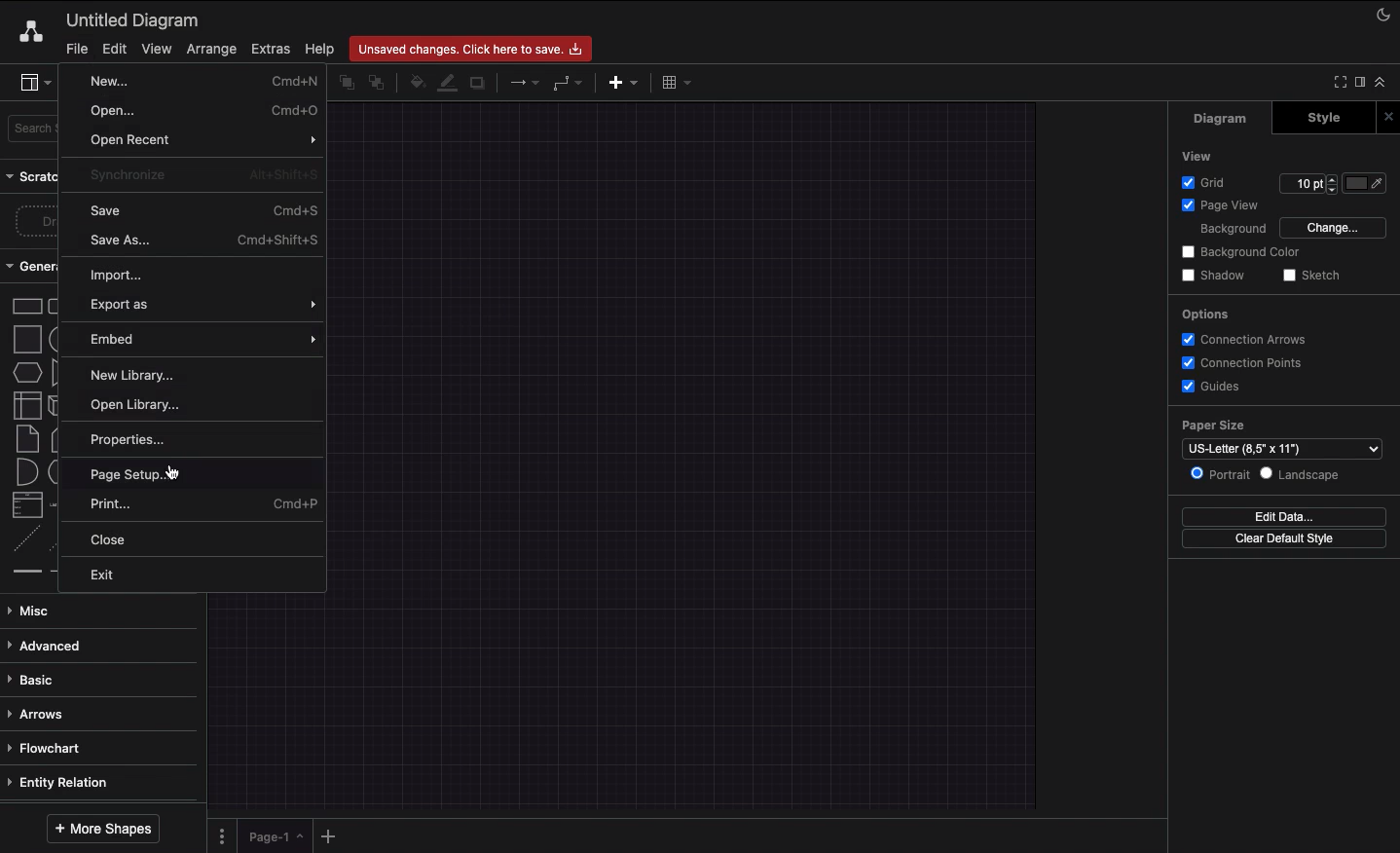 Image resolution: width=1400 pixels, height=853 pixels. What do you see at coordinates (202, 177) in the screenshot?
I see `Synchronize ` at bounding box center [202, 177].